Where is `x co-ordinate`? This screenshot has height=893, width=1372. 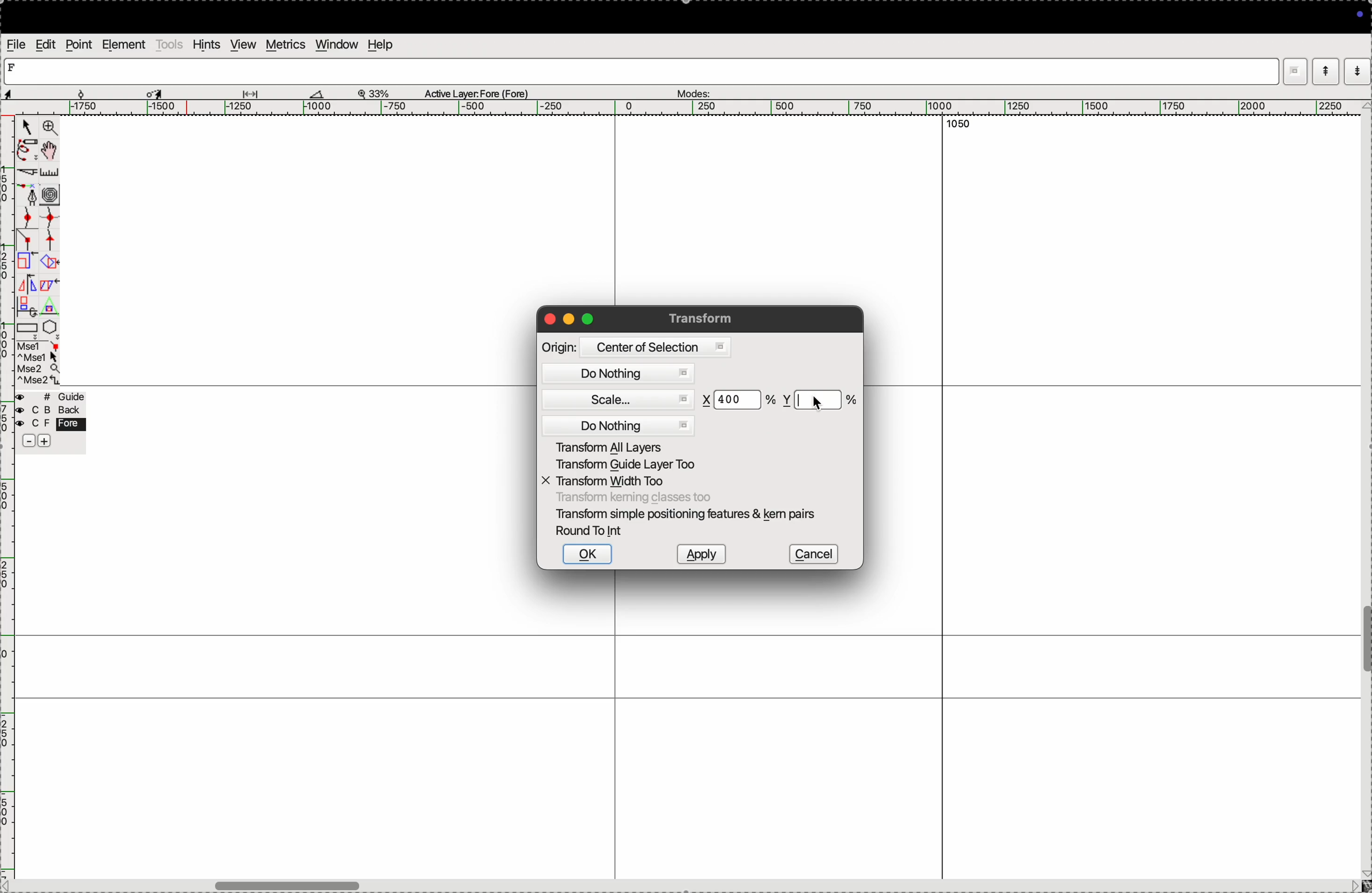
x co-ordinate is located at coordinates (708, 400).